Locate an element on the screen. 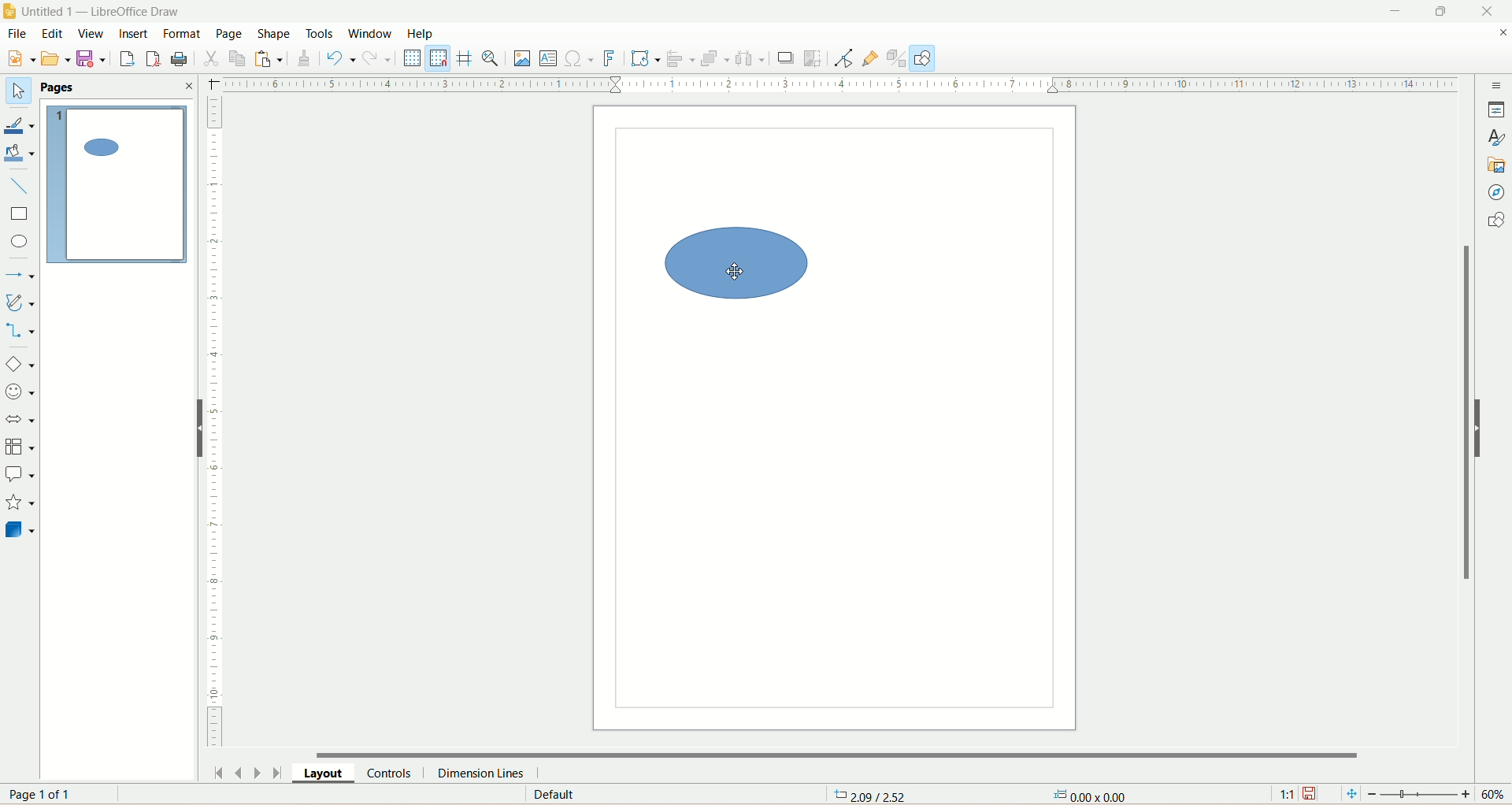 This screenshot has width=1512, height=805. arrange is located at coordinates (715, 60).